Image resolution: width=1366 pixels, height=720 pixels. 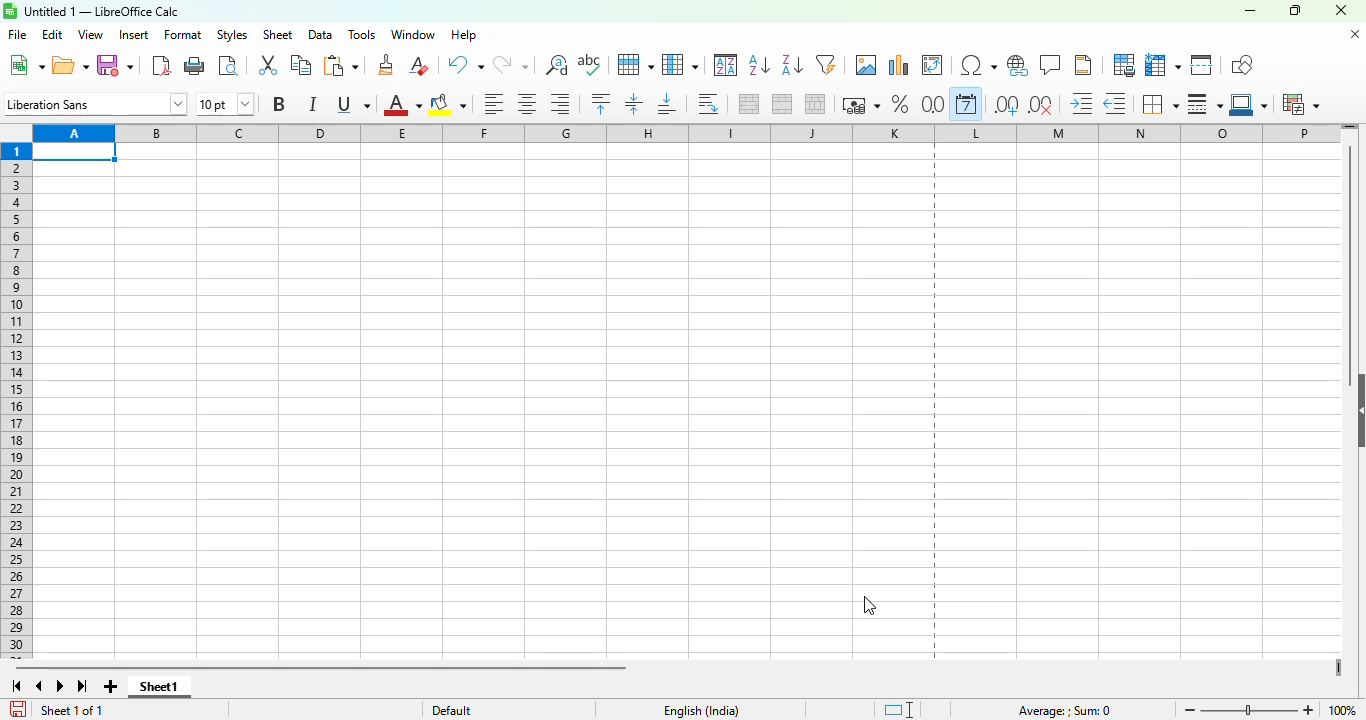 What do you see at coordinates (826, 65) in the screenshot?
I see `autoFilter` at bounding box center [826, 65].